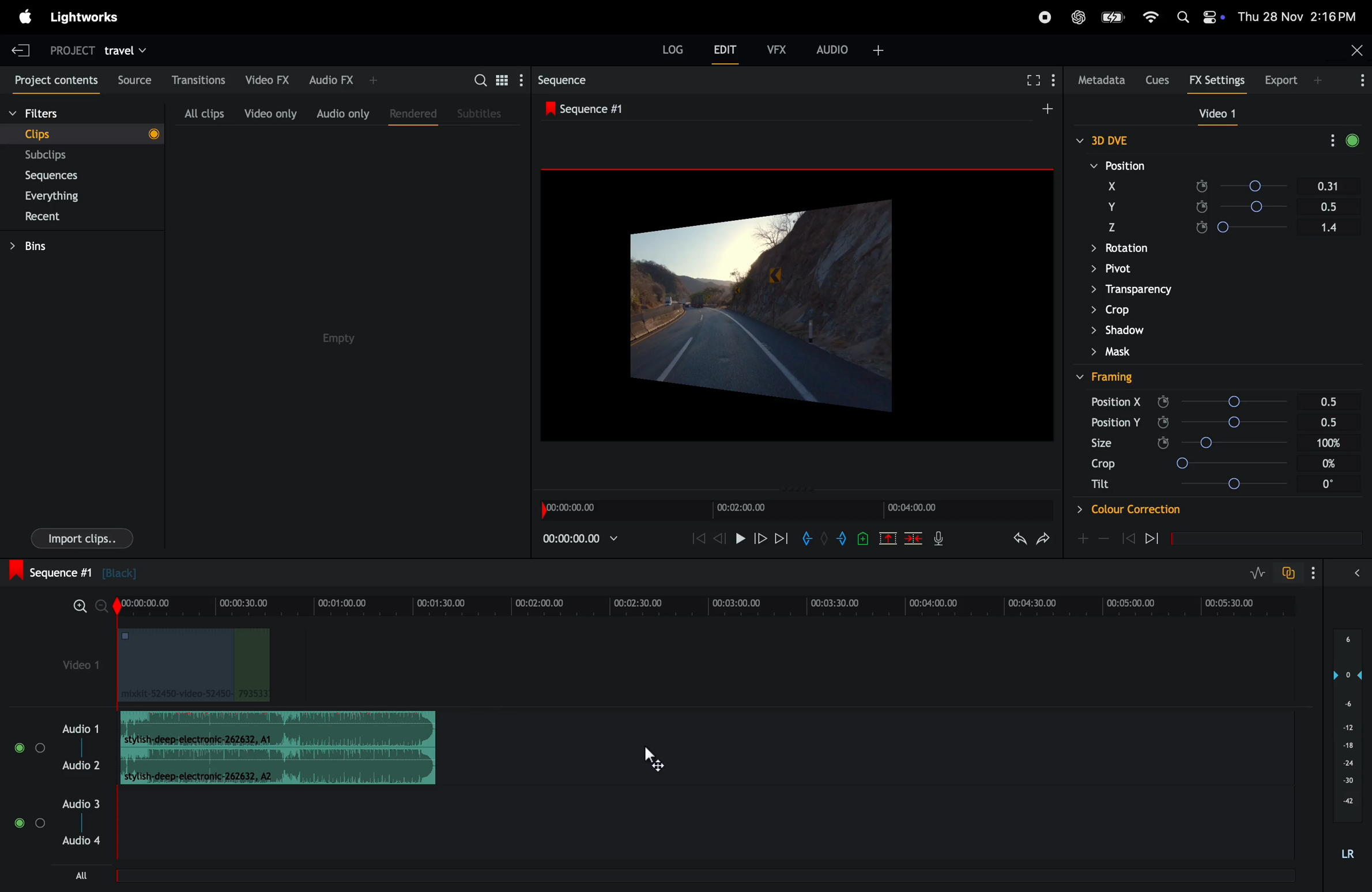  Describe the element at coordinates (1329, 485) in the screenshot. I see `` at that location.